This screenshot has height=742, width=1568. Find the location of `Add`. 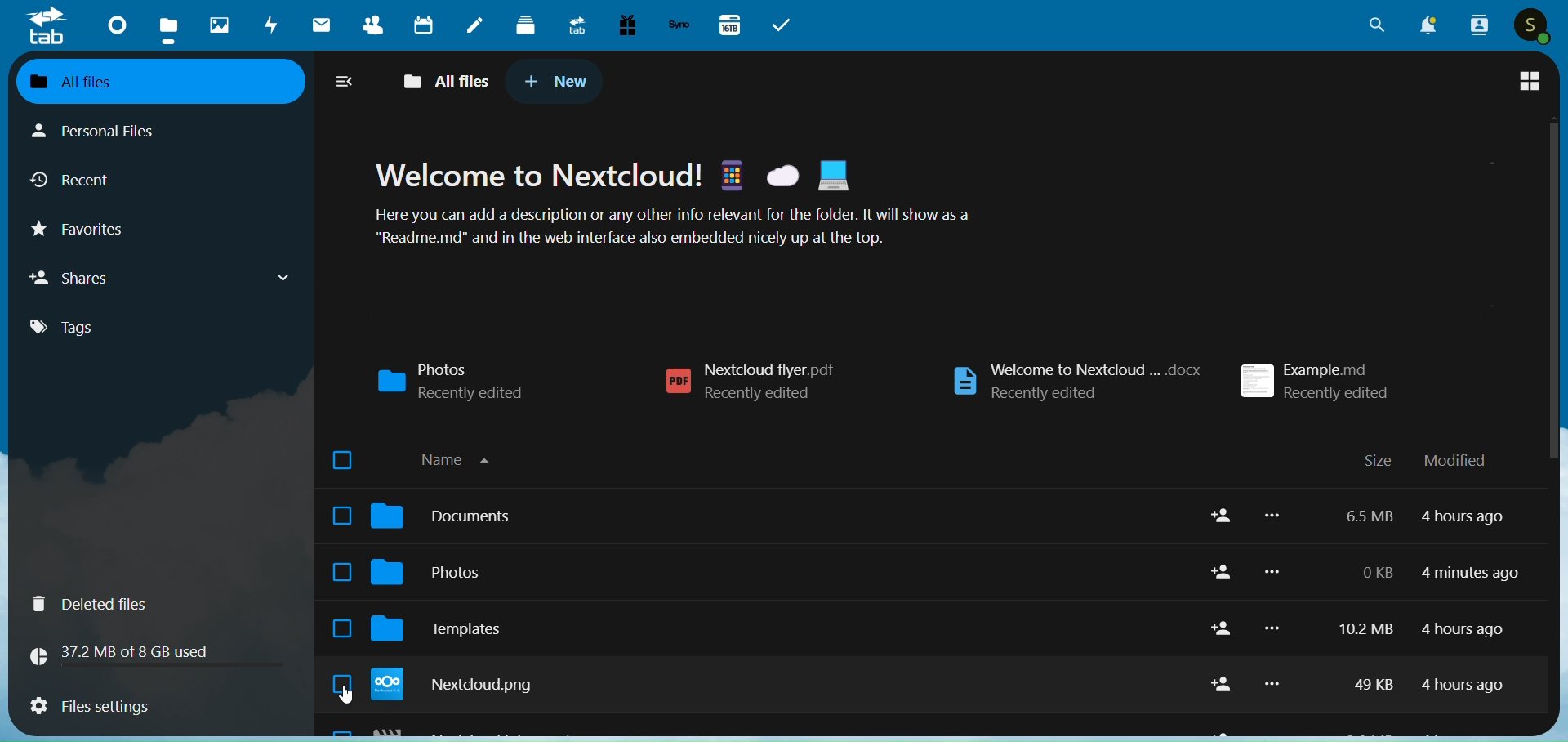

Add is located at coordinates (1223, 628).